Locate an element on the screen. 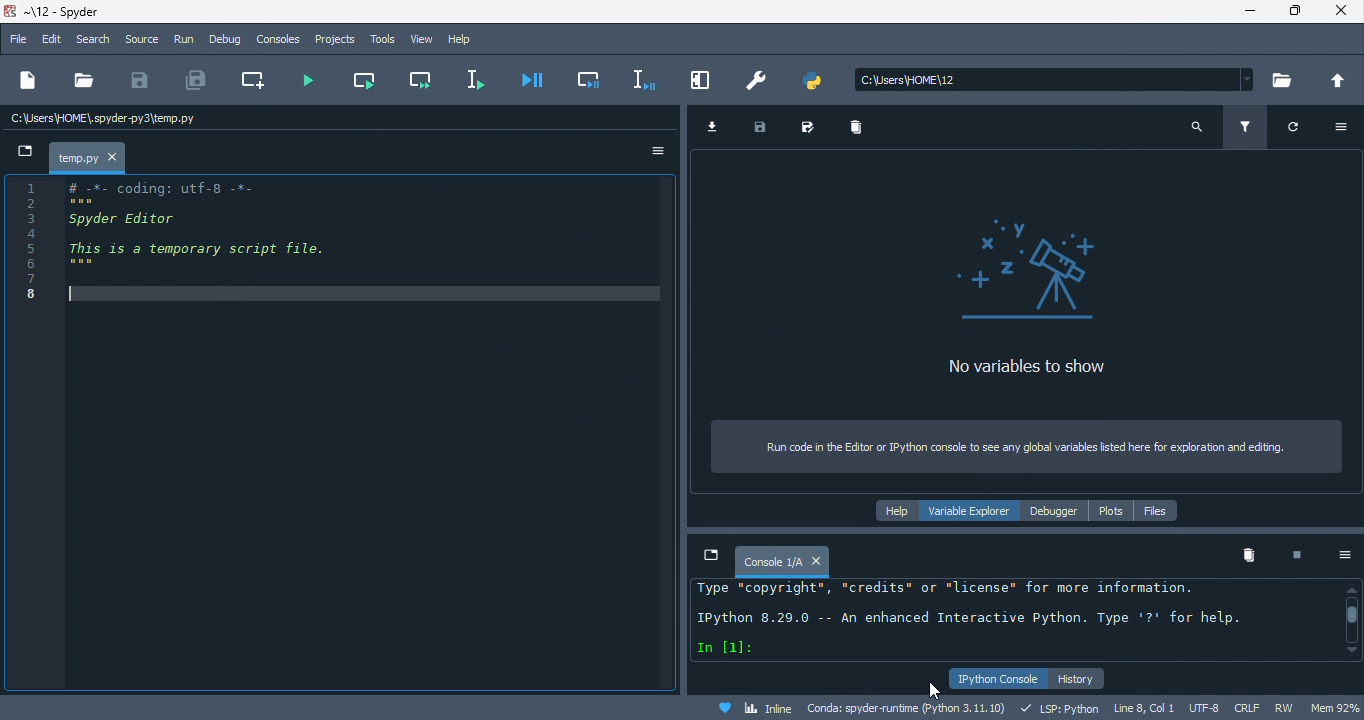  run current cell and go to the next one is located at coordinates (416, 78).